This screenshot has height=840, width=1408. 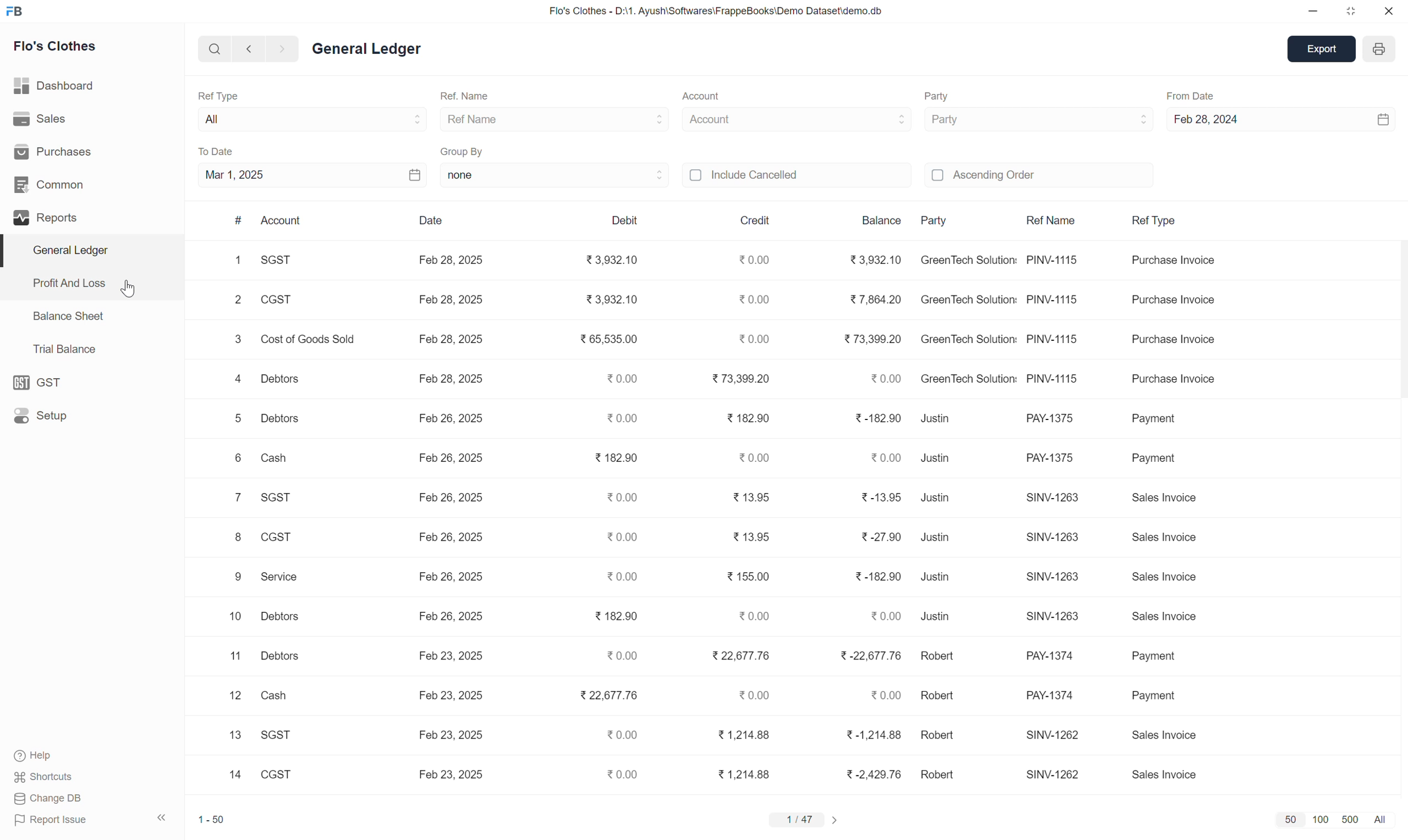 I want to click on SINV-1262, so click(x=1052, y=735).